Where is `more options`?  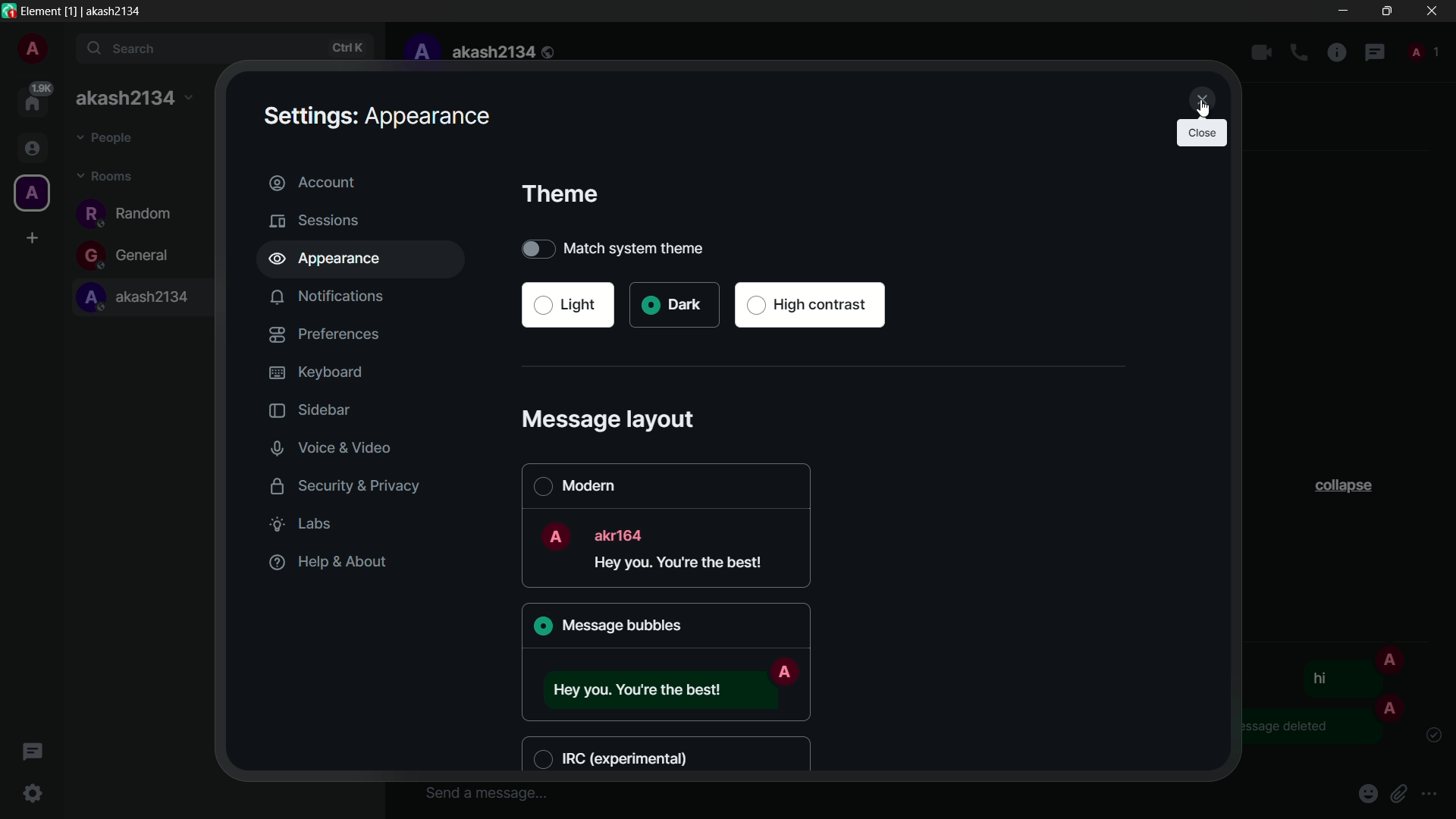
more options is located at coordinates (1430, 795).